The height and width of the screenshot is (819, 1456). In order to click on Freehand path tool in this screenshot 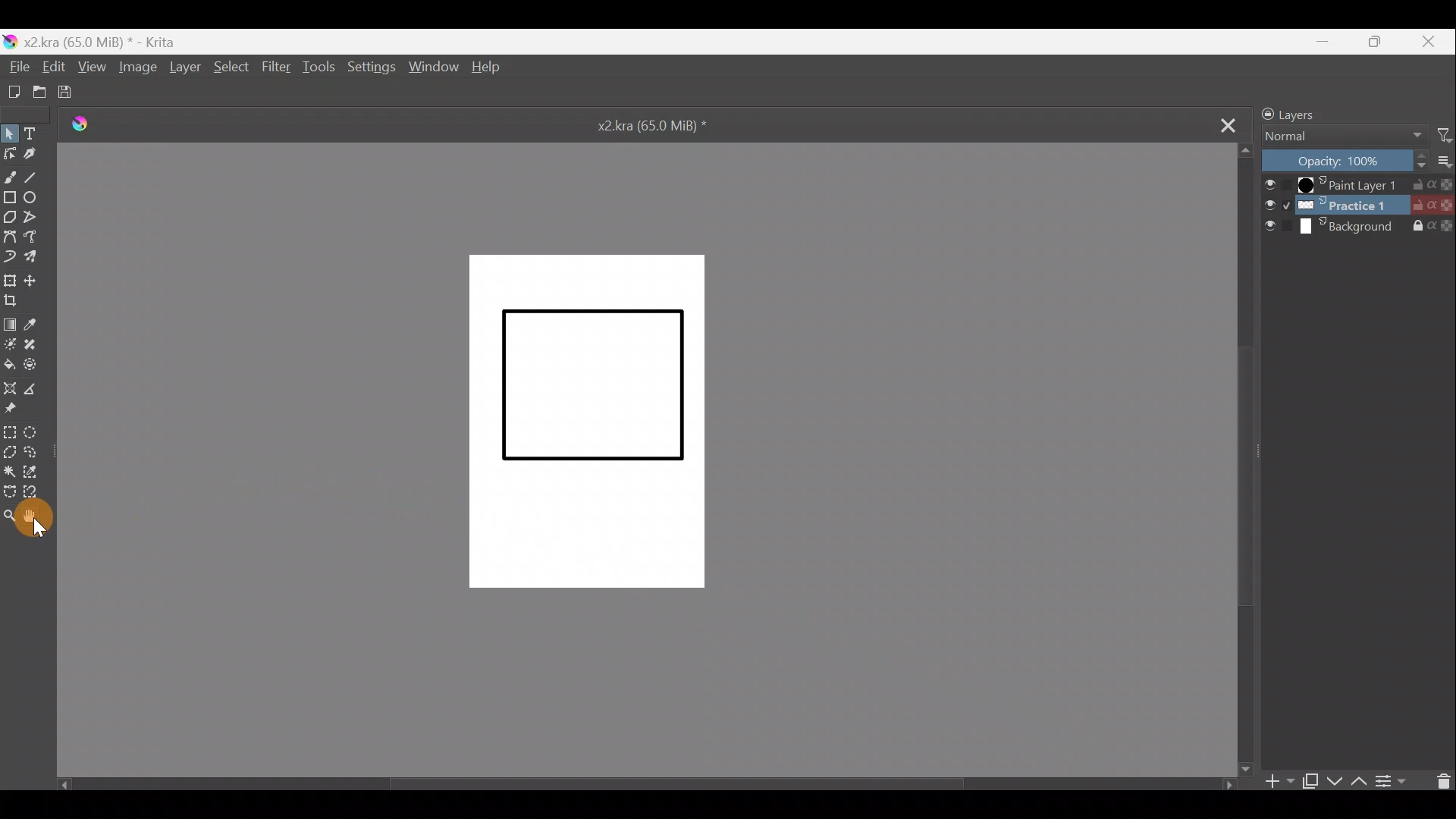, I will do `click(35, 238)`.